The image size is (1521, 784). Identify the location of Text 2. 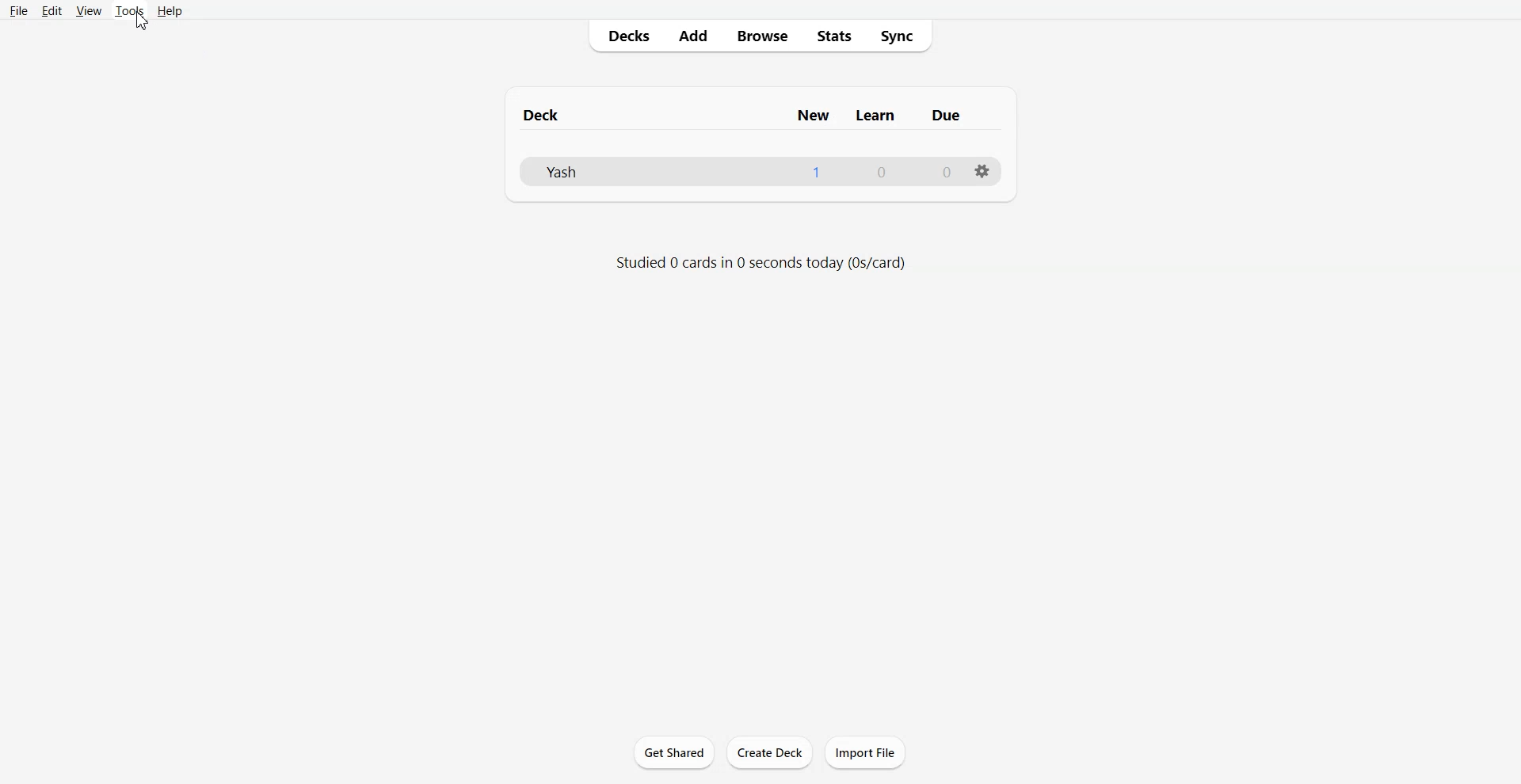
(760, 264).